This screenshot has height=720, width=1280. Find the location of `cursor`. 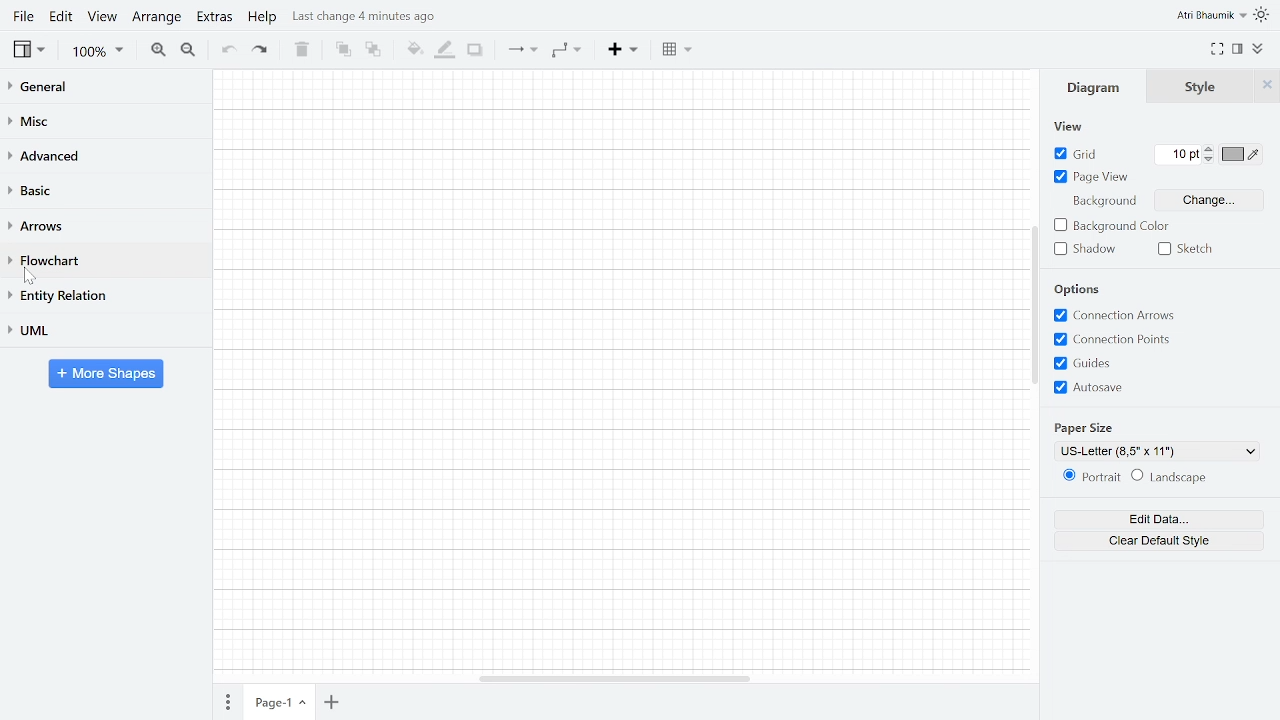

cursor is located at coordinates (33, 277).